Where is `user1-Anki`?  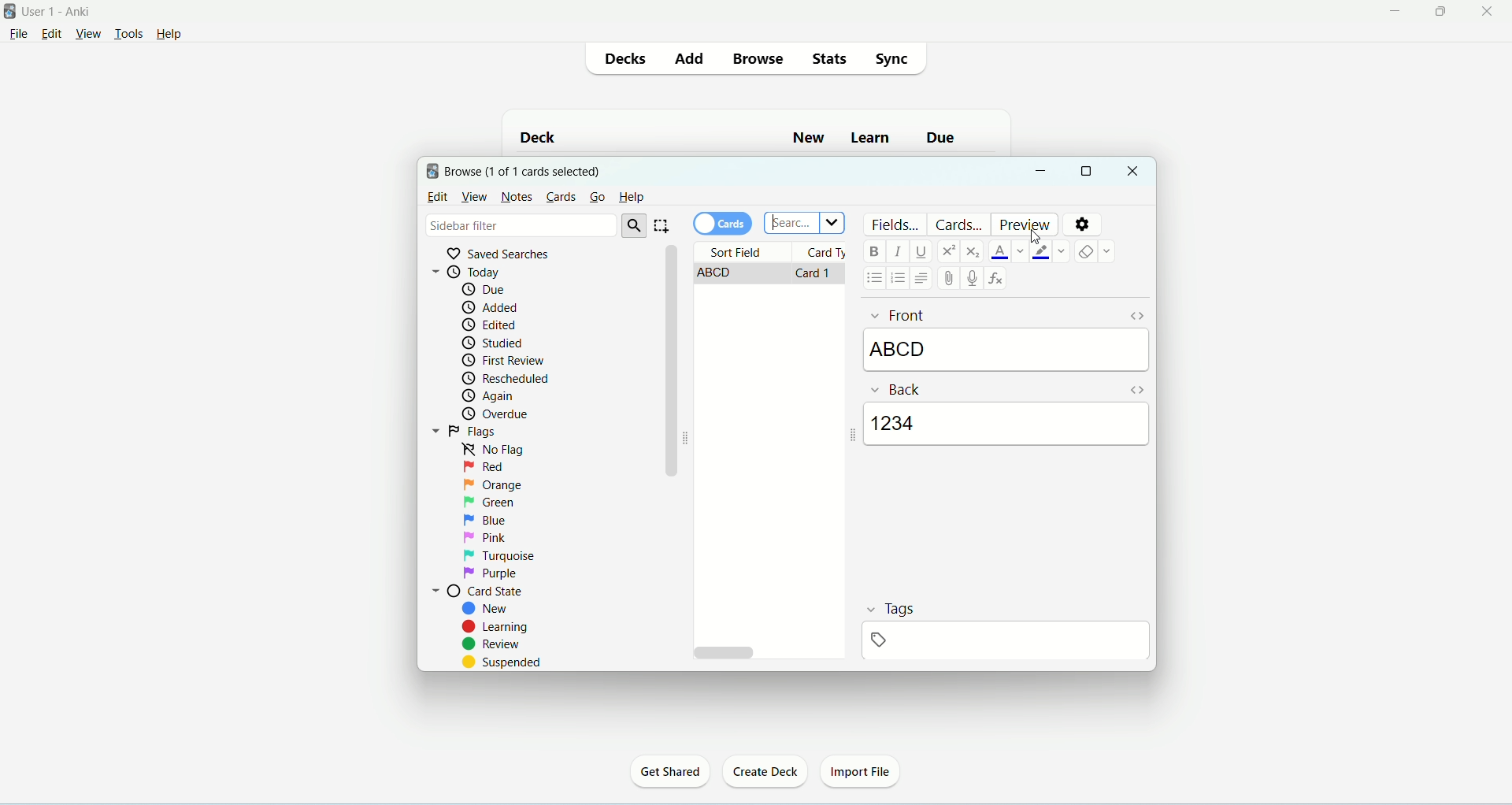 user1-Anki is located at coordinates (61, 12).